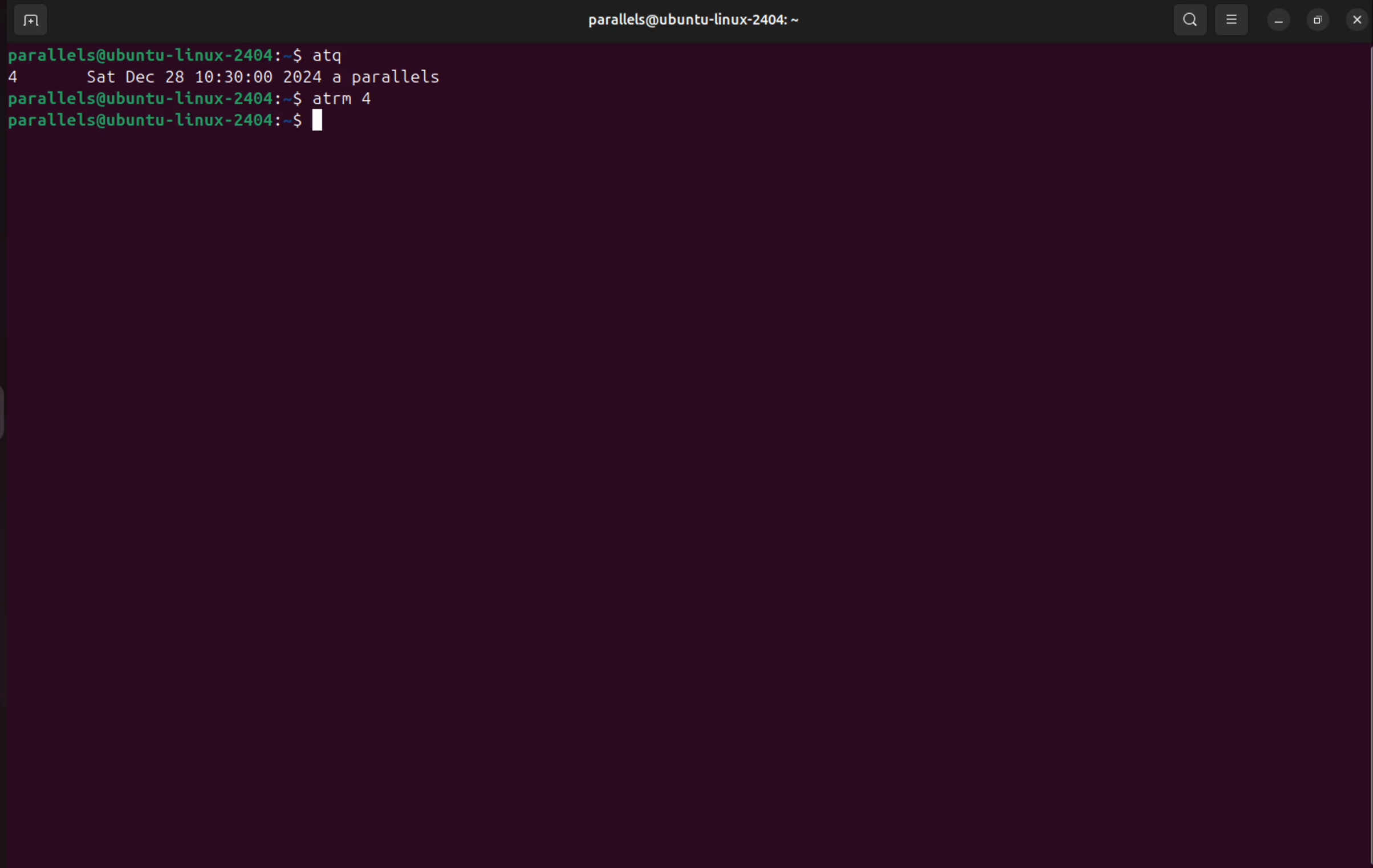 This screenshot has width=1373, height=868. I want to click on search, so click(1192, 21).